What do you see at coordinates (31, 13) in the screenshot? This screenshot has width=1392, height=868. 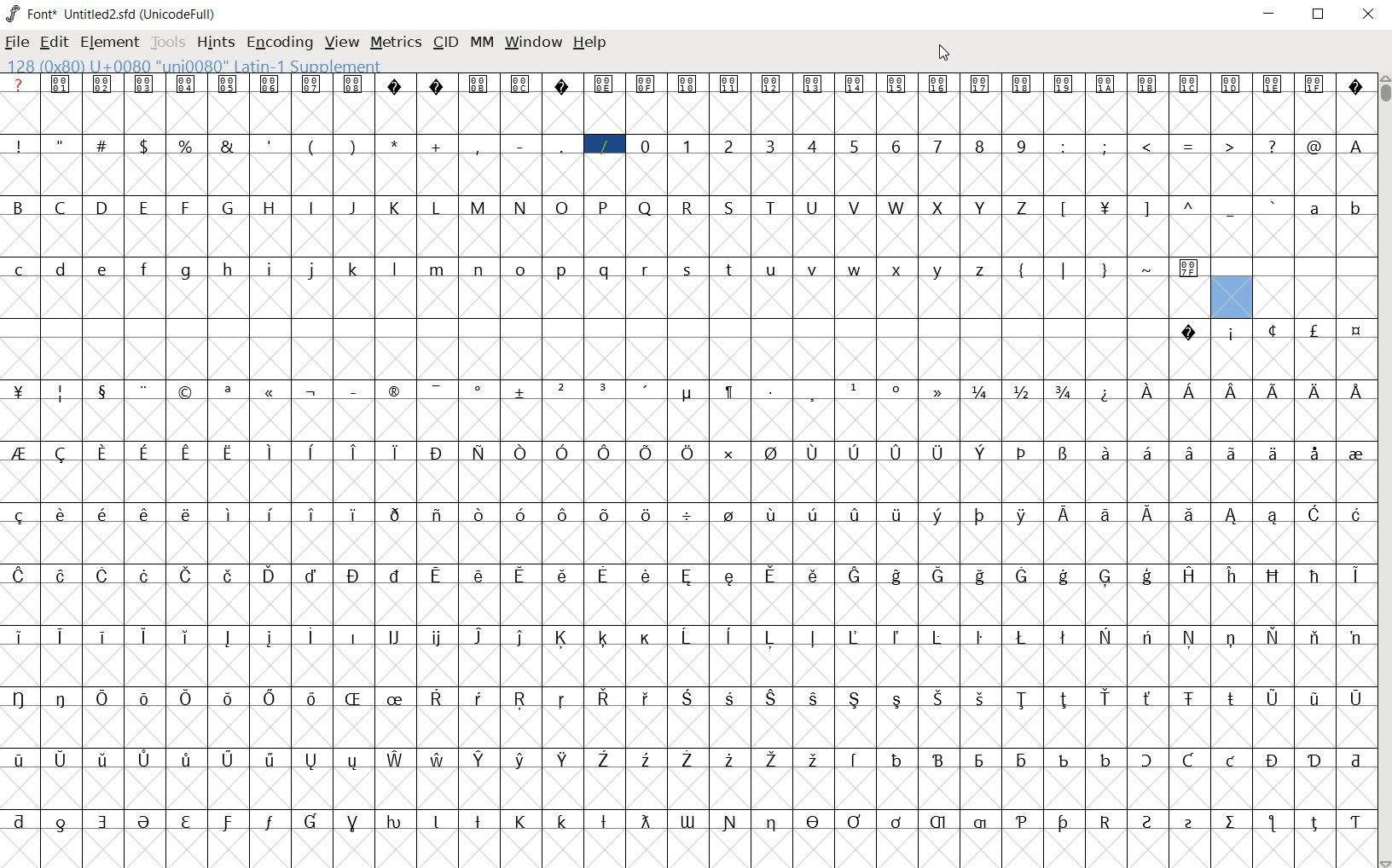 I see `FONT` at bounding box center [31, 13].